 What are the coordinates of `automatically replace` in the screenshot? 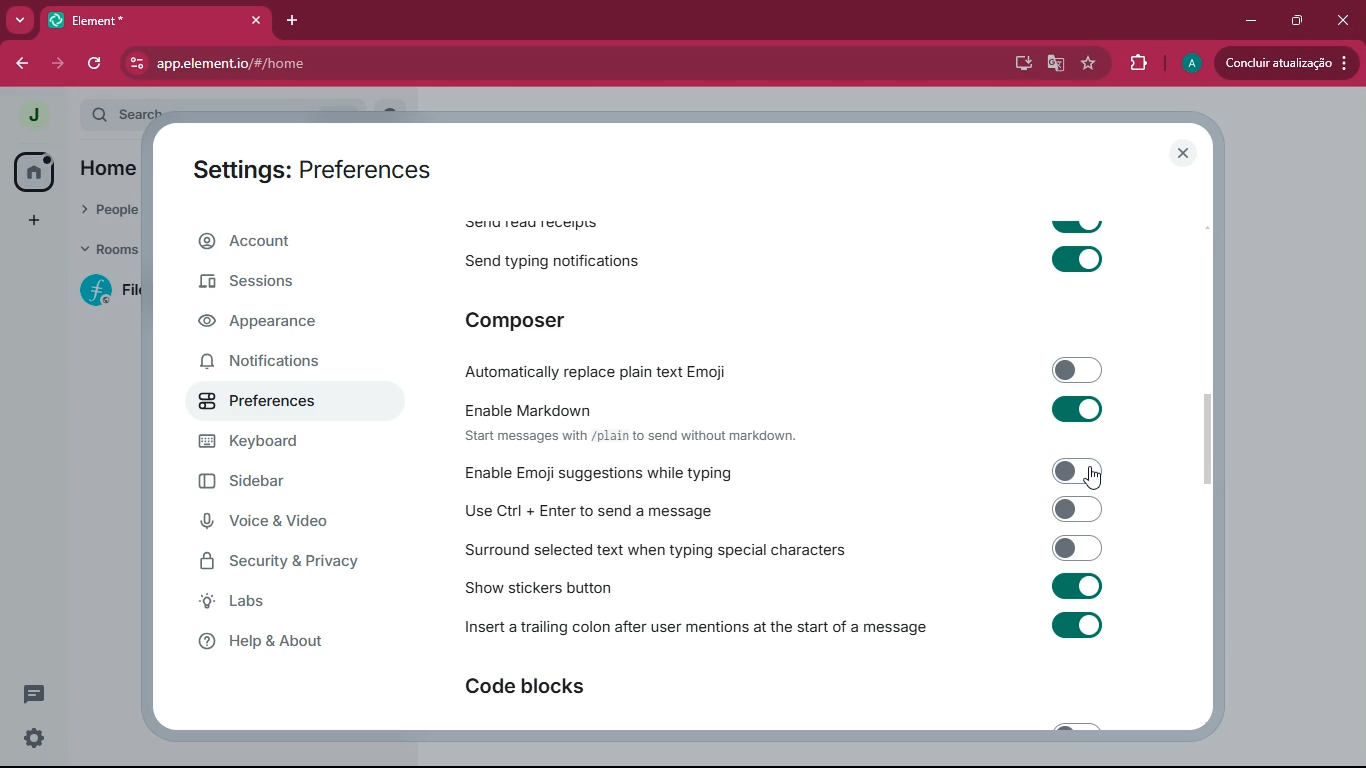 It's located at (785, 369).